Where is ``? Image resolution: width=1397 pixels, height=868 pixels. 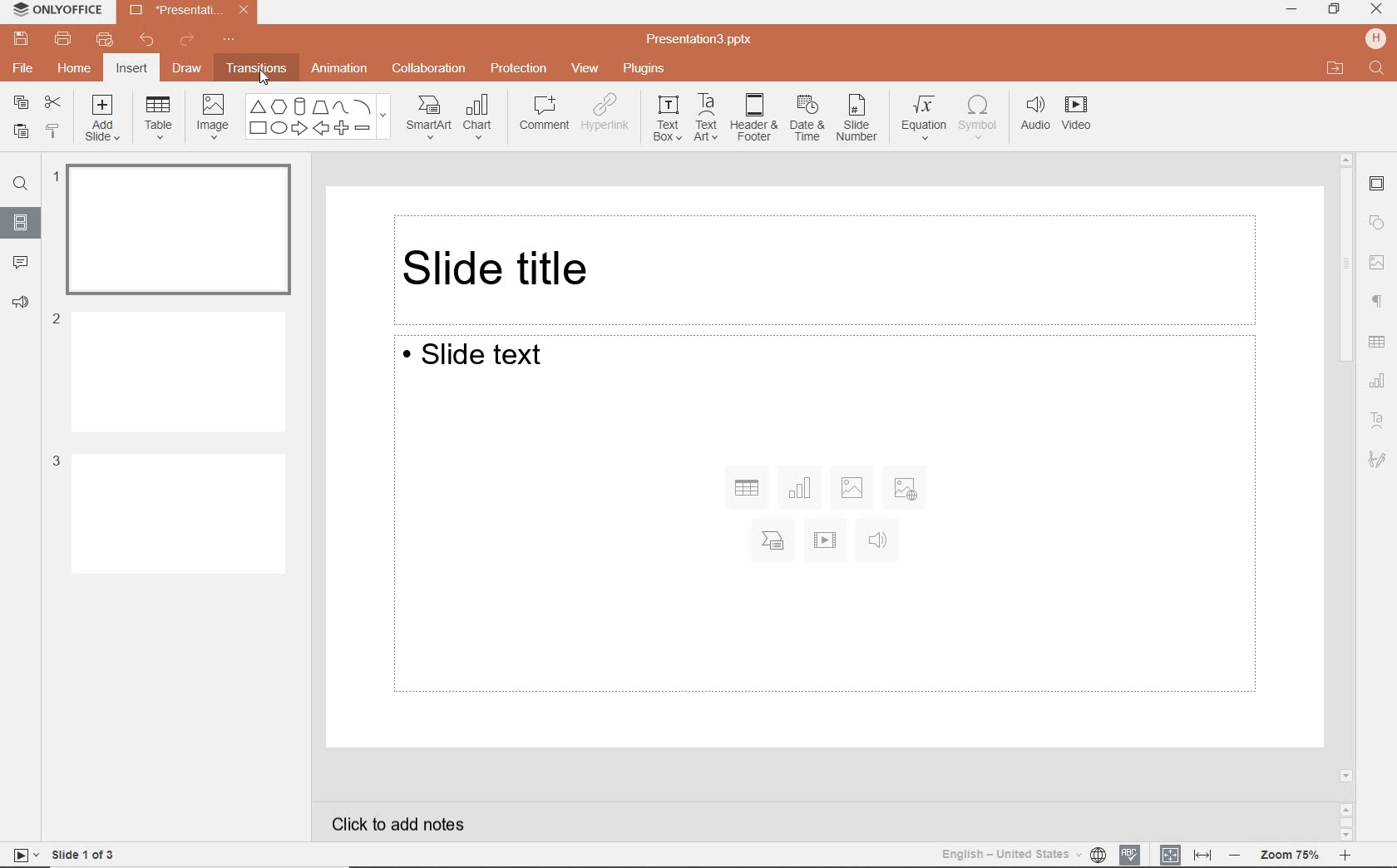
 is located at coordinates (321, 105).